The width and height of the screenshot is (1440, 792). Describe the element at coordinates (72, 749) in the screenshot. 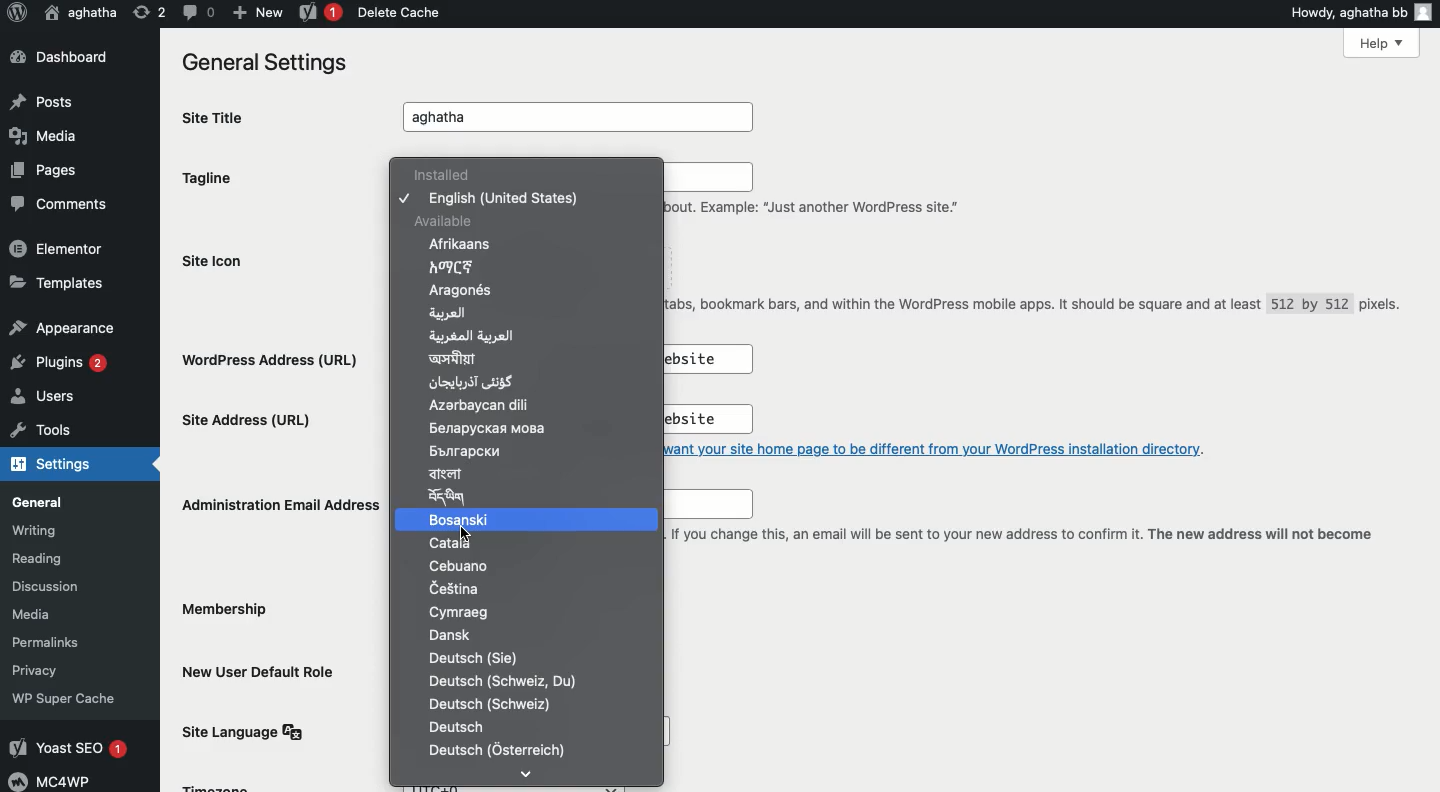

I see `Yoast SEO` at that location.